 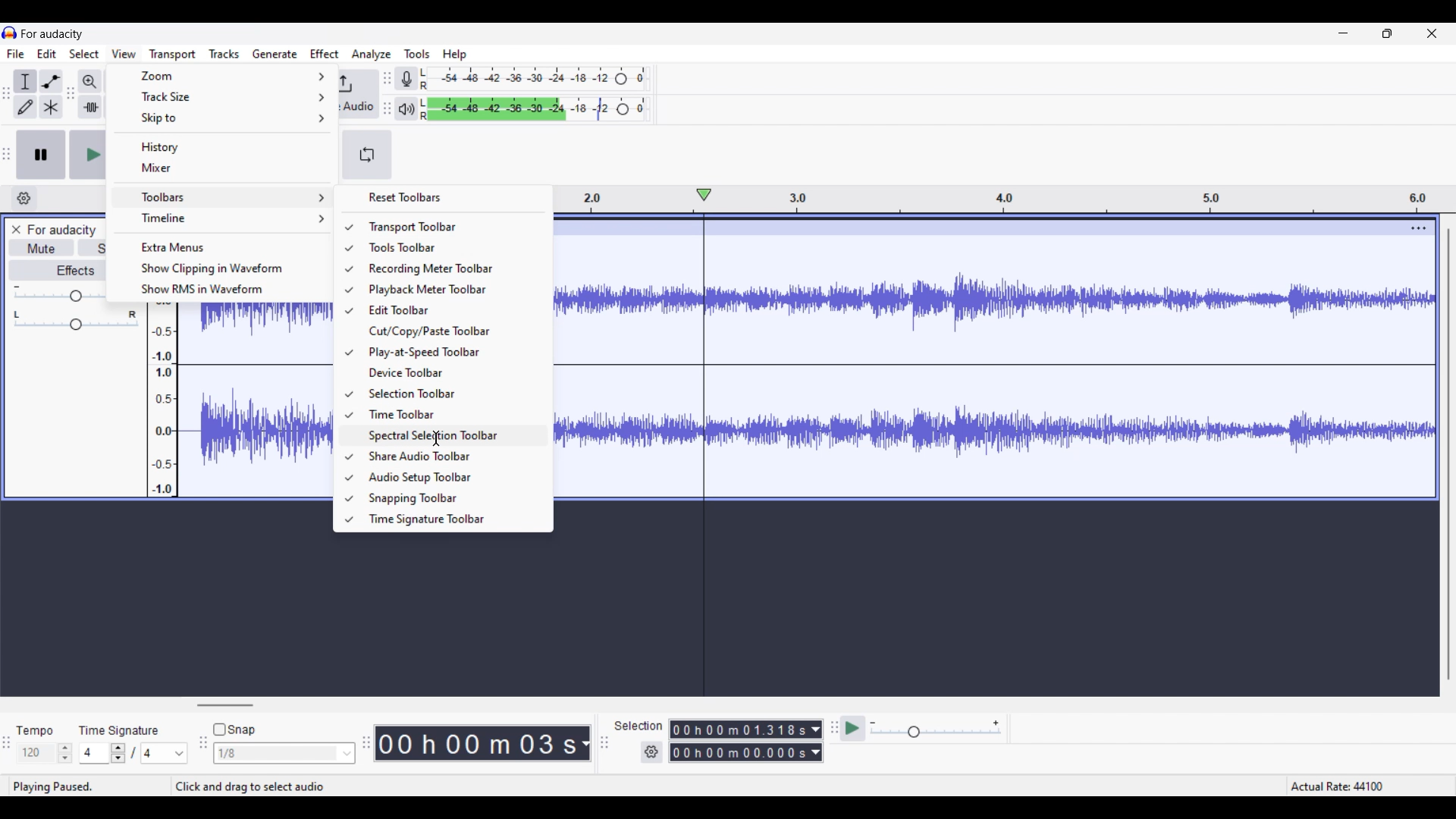 I want to click on Actual rate, so click(x=1344, y=785).